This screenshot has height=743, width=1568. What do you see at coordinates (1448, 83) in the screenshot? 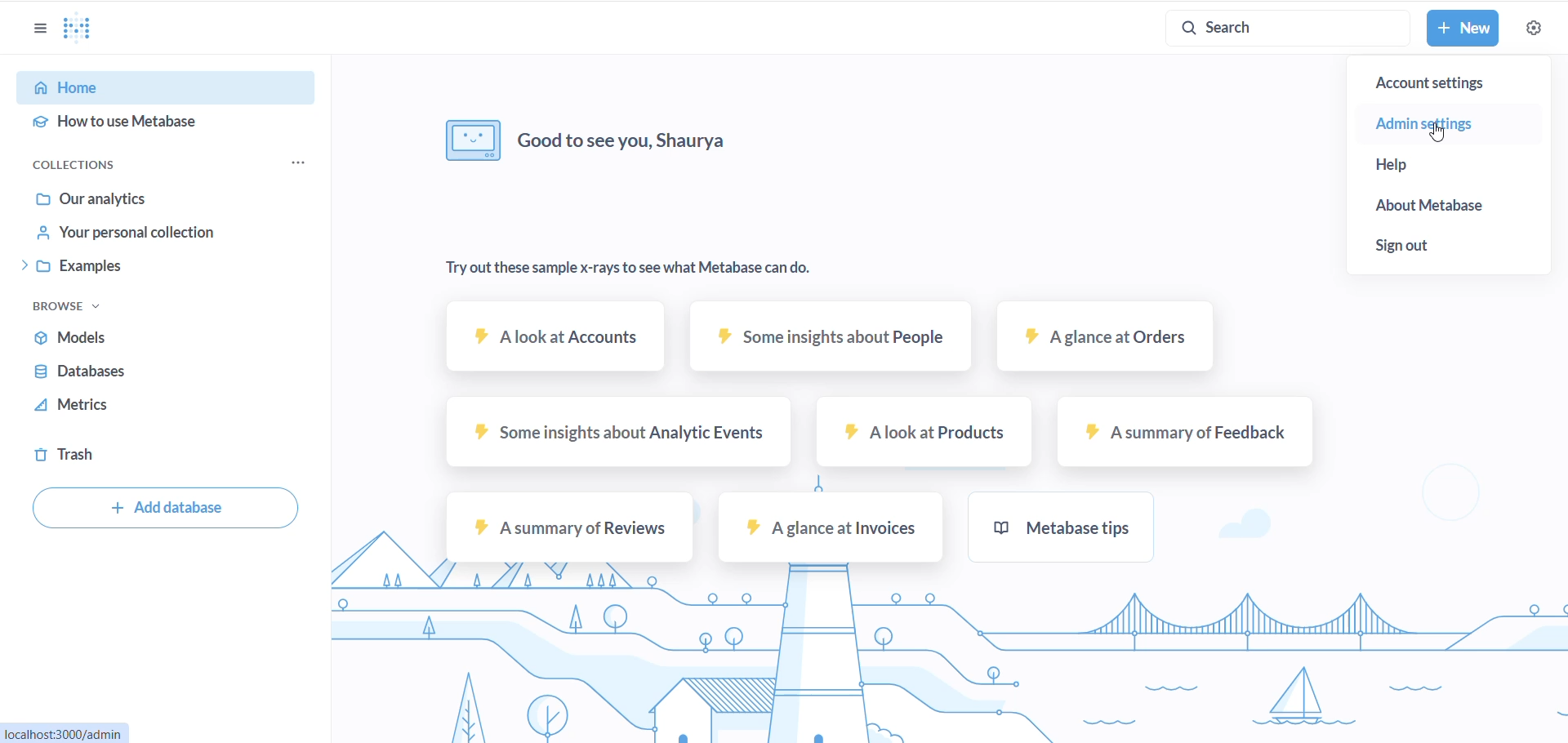
I see `account settings` at bounding box center [1448, 83].